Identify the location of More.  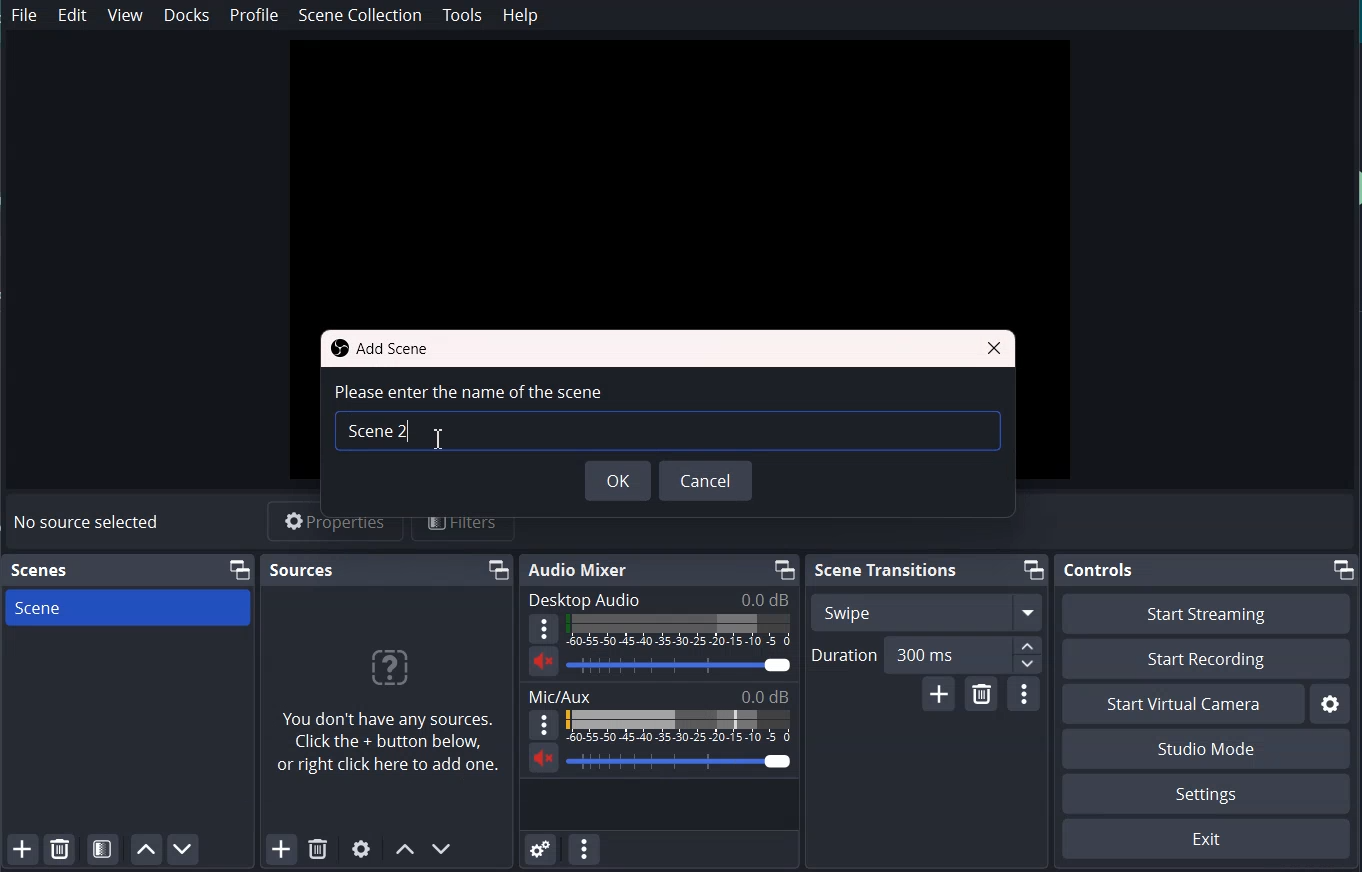
(544, 724).